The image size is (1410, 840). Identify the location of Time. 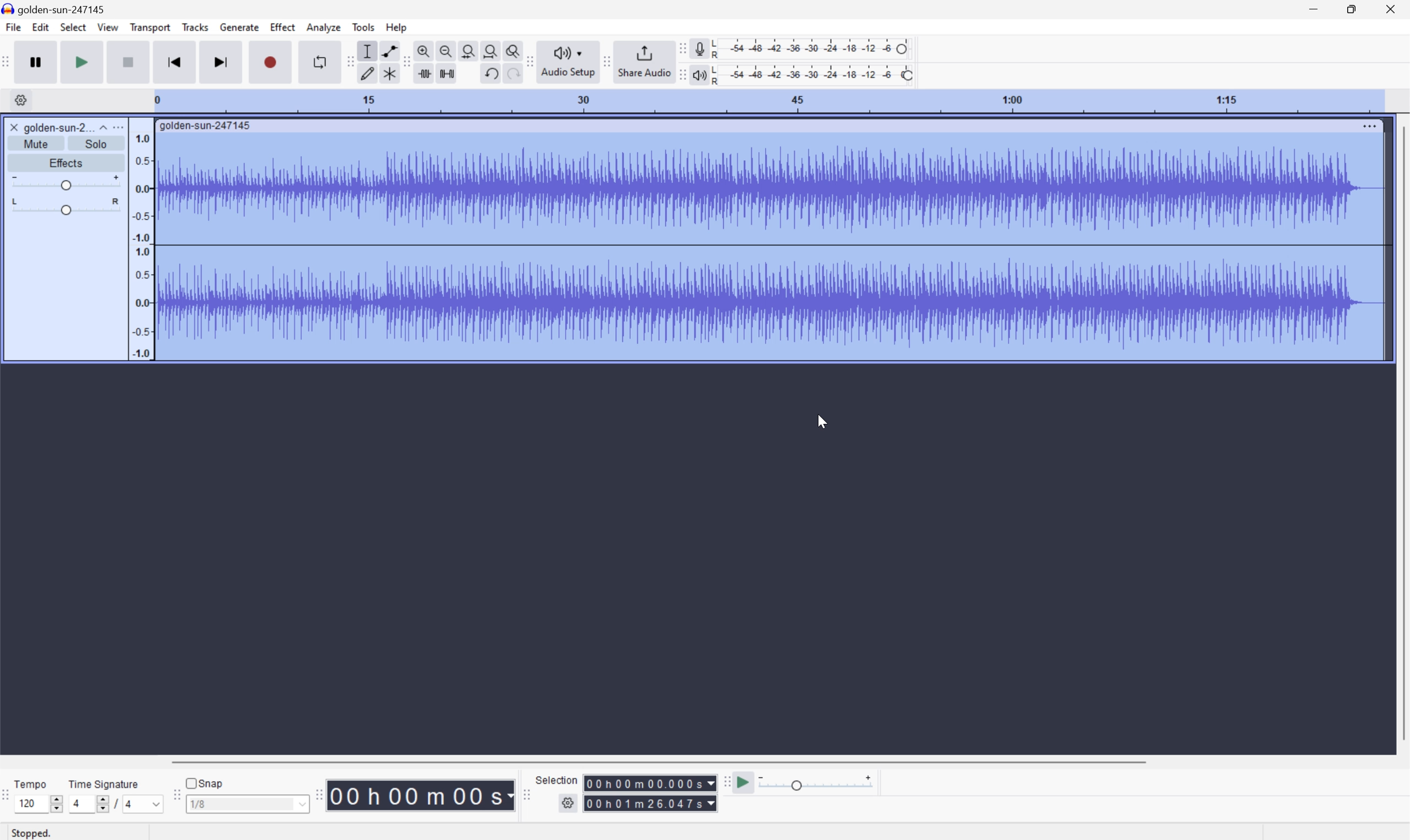
(421, 794).